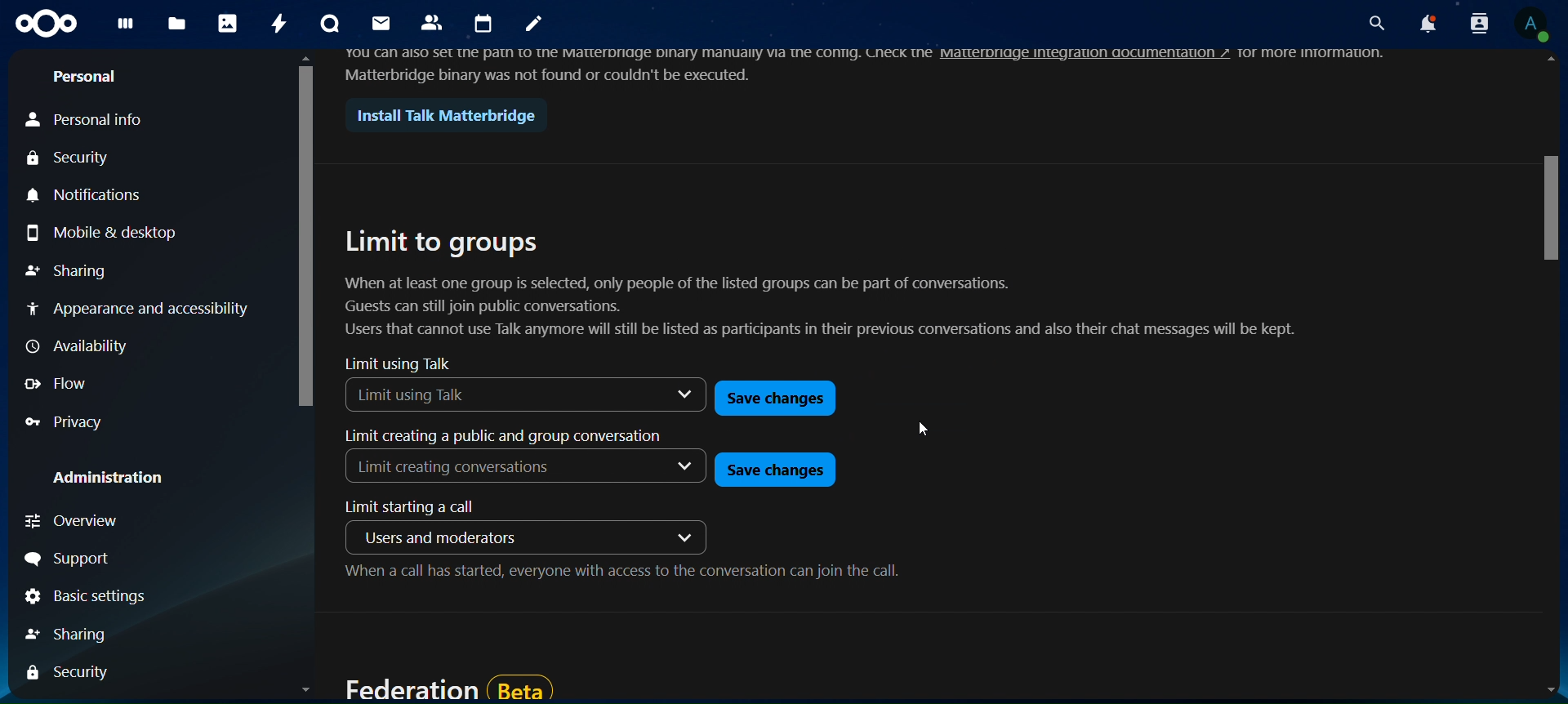  Describe the element at coordinates (80, 561) in the screenshot. I see `support` at that location.